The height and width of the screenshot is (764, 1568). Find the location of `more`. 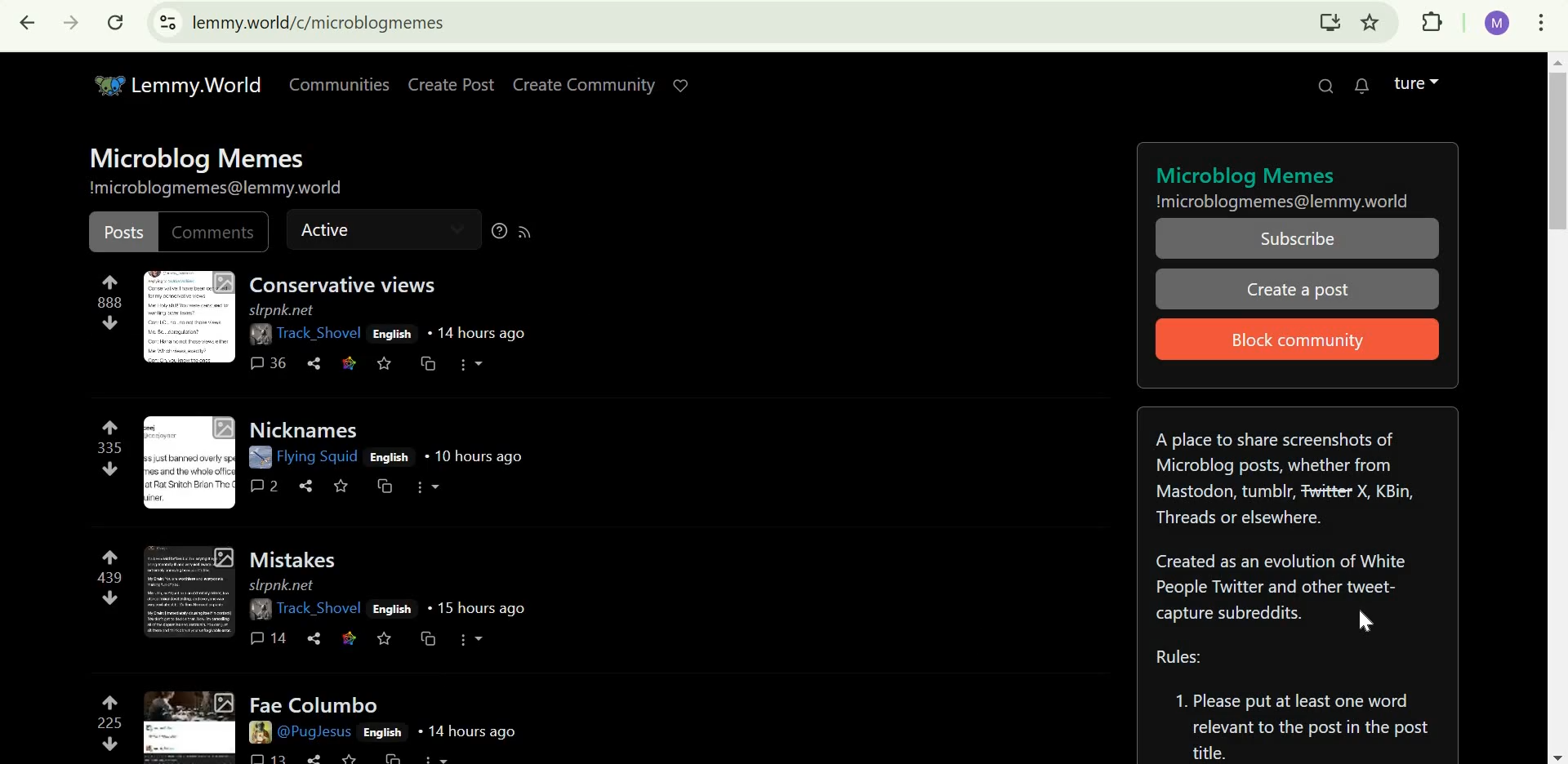

more is located at coordinates (473, 640).